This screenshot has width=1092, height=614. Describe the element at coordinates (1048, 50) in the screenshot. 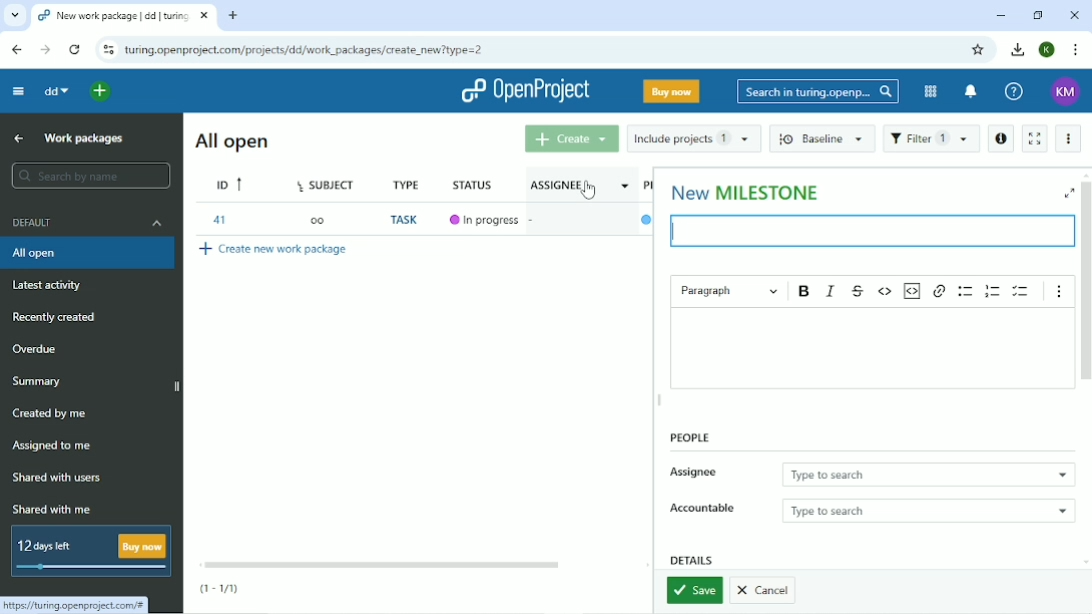

I see `K` at that location.